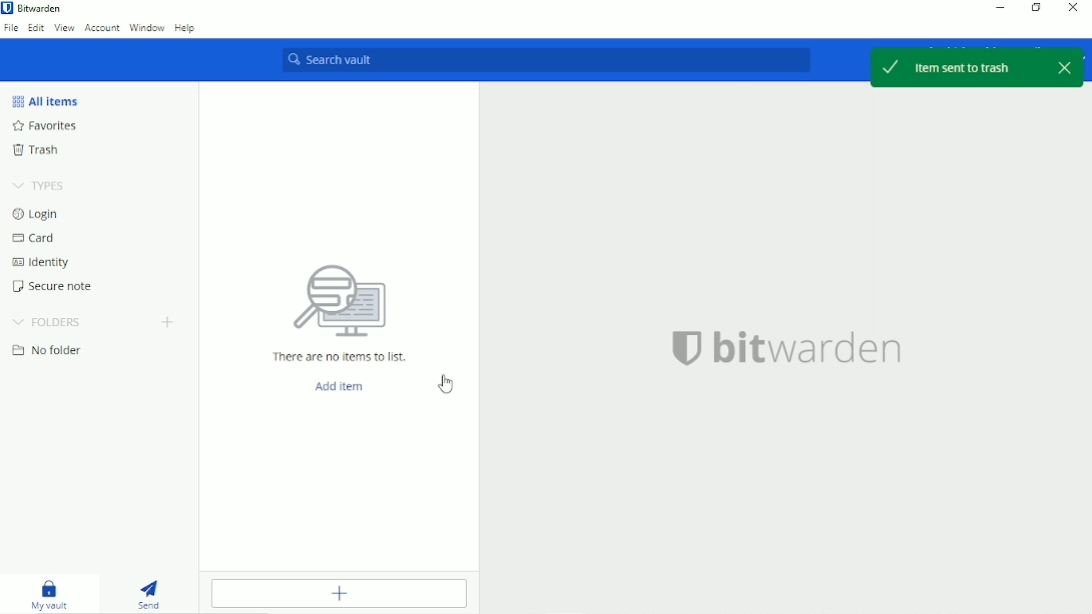 This screenshot has width=1092, height=614. What do you see at coordinates (999, 8) in the screenshot?
I see `Minimize` at bounding box center [999, 8].